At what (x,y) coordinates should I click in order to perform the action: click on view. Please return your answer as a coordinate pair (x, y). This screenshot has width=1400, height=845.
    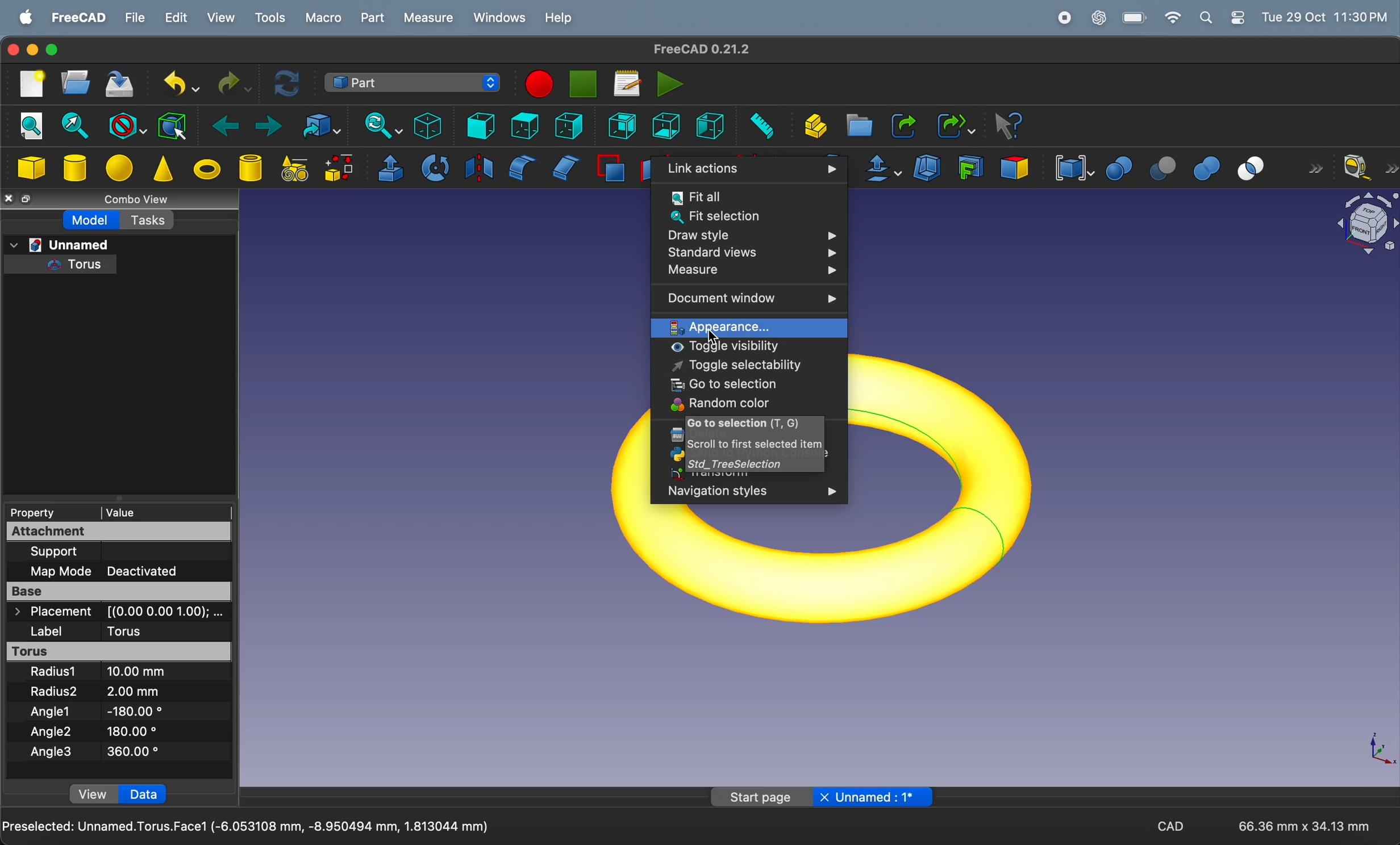
    Looking at the image, I should click on (220, 18).